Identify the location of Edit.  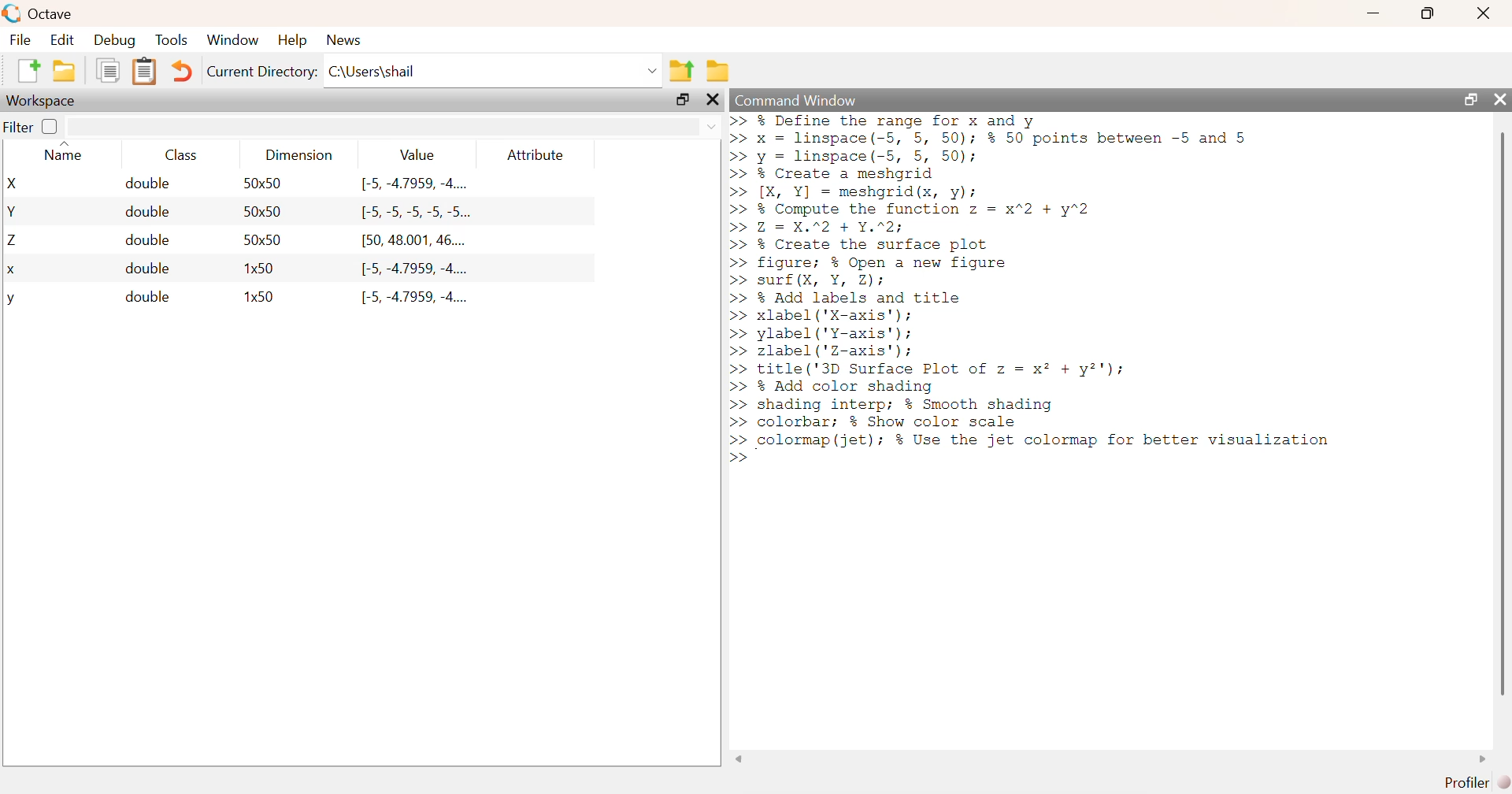
(61, 39).